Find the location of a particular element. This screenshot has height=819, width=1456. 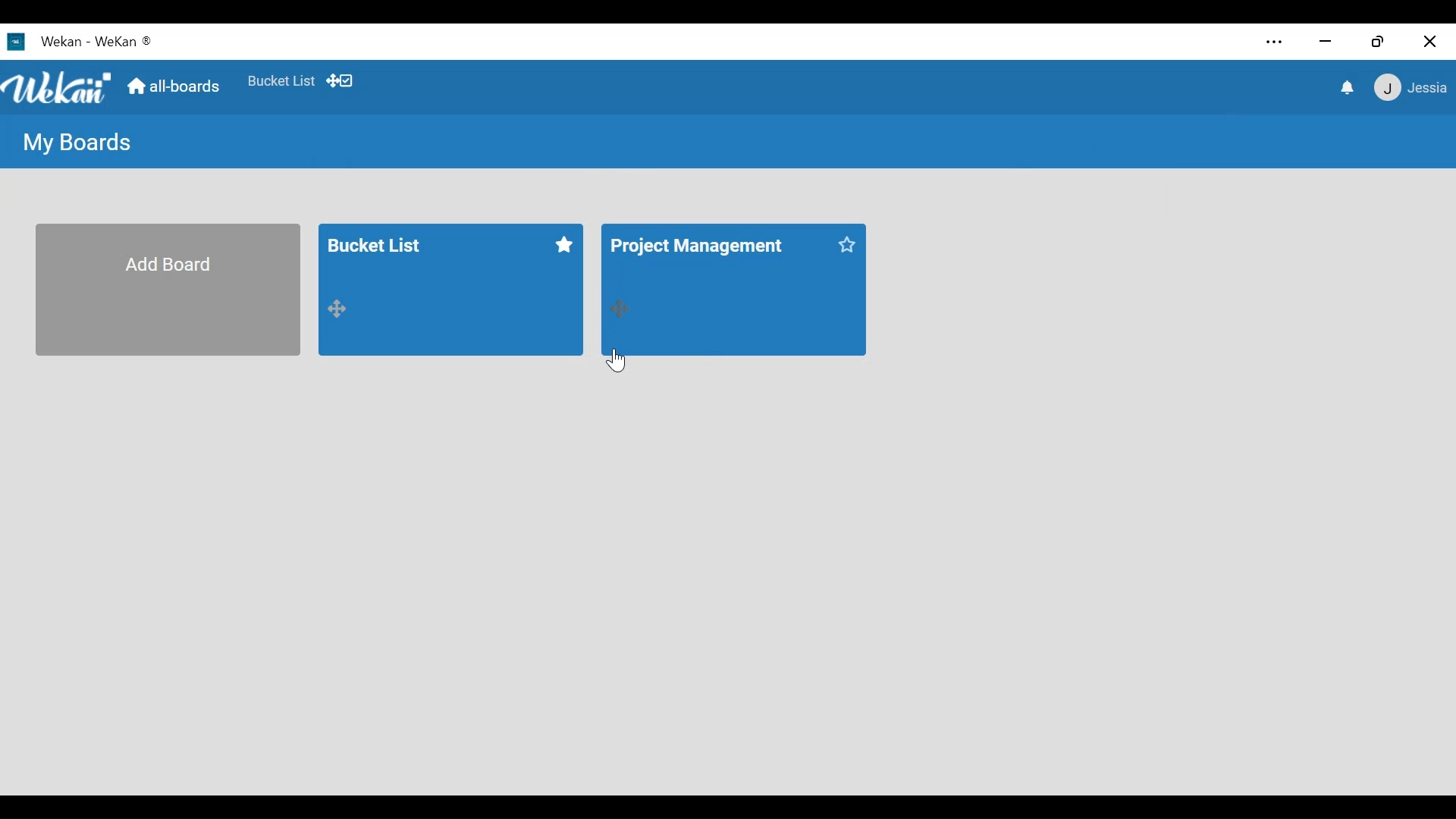

Text is located at coordinates (97, 42).